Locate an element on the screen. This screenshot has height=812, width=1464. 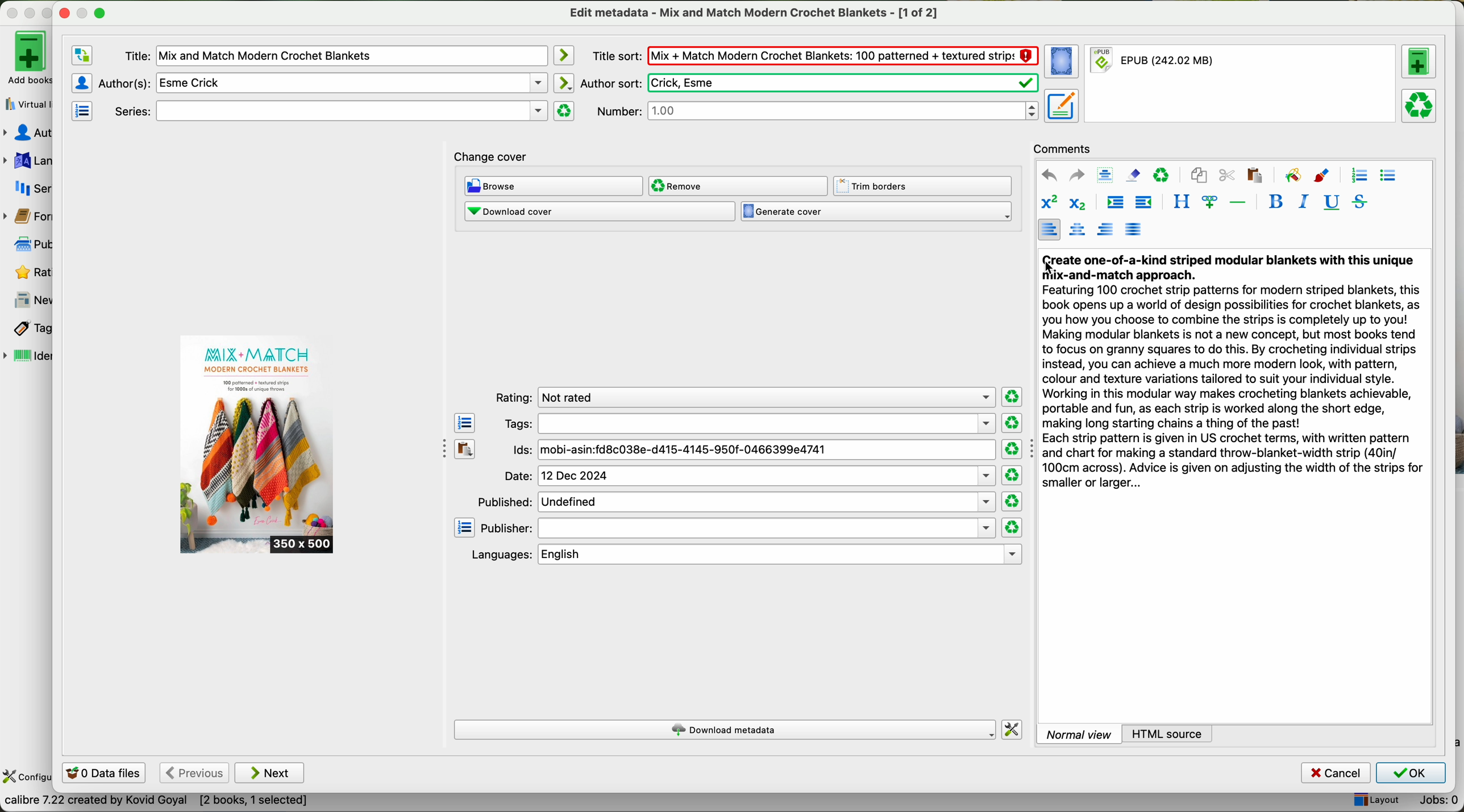
generate cover is located at coordinates (876, 212).